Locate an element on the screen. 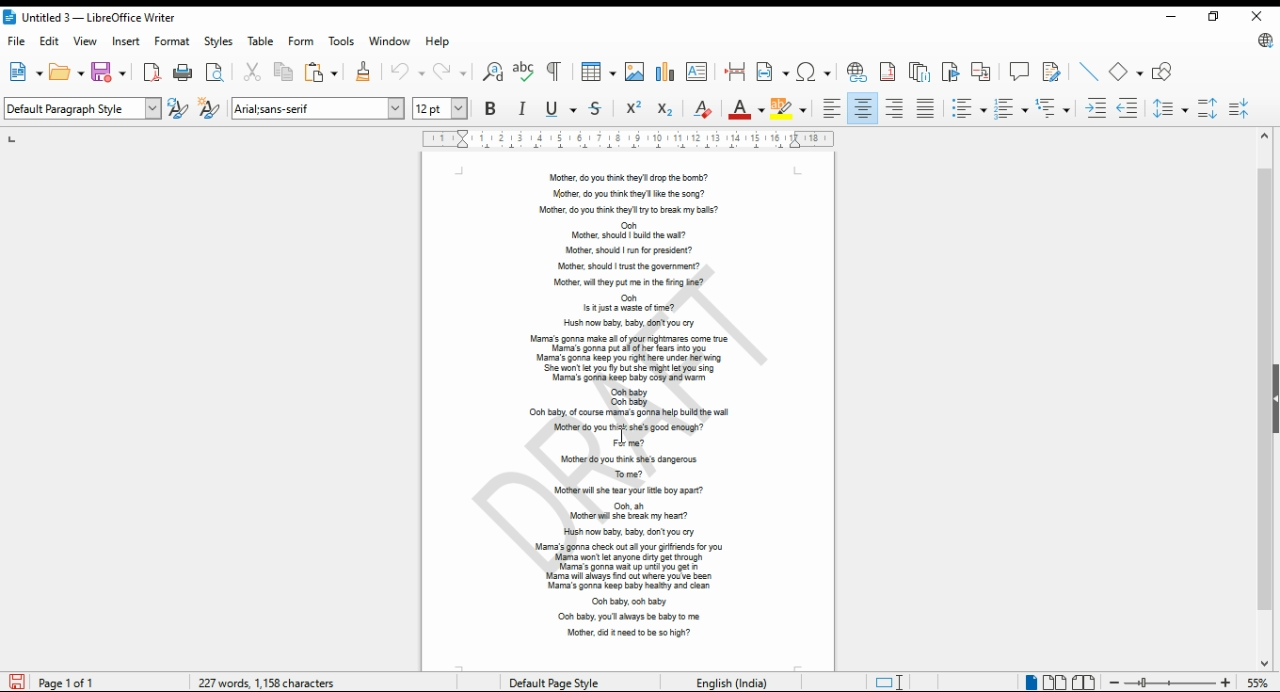 The height and width of the screenshot is (692, 1280). form is located at coordinates (302, 42).